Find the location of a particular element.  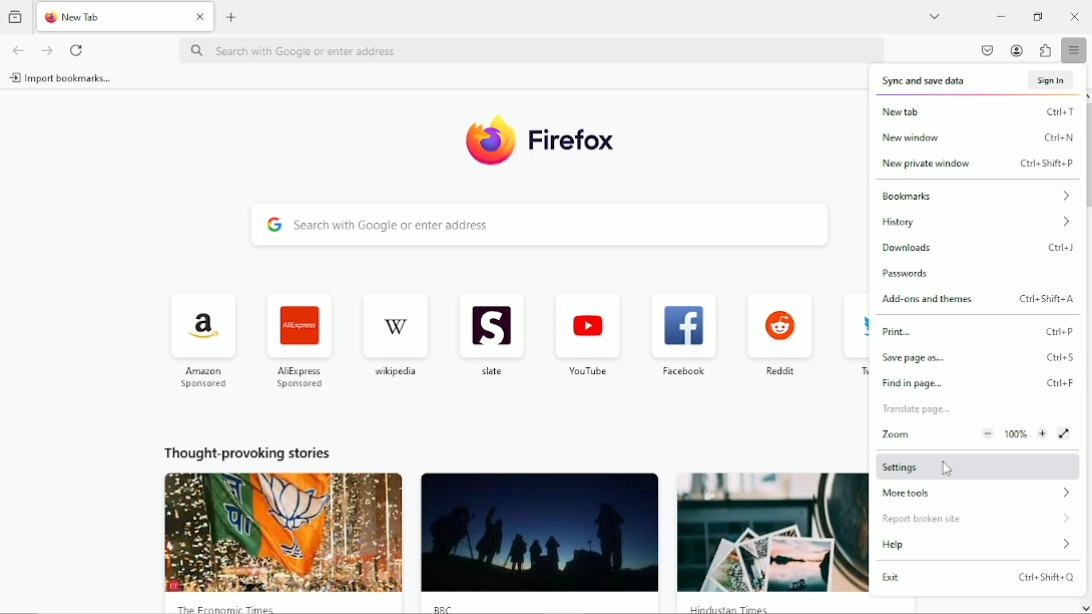

facebook is located at coordinates (685, 369).